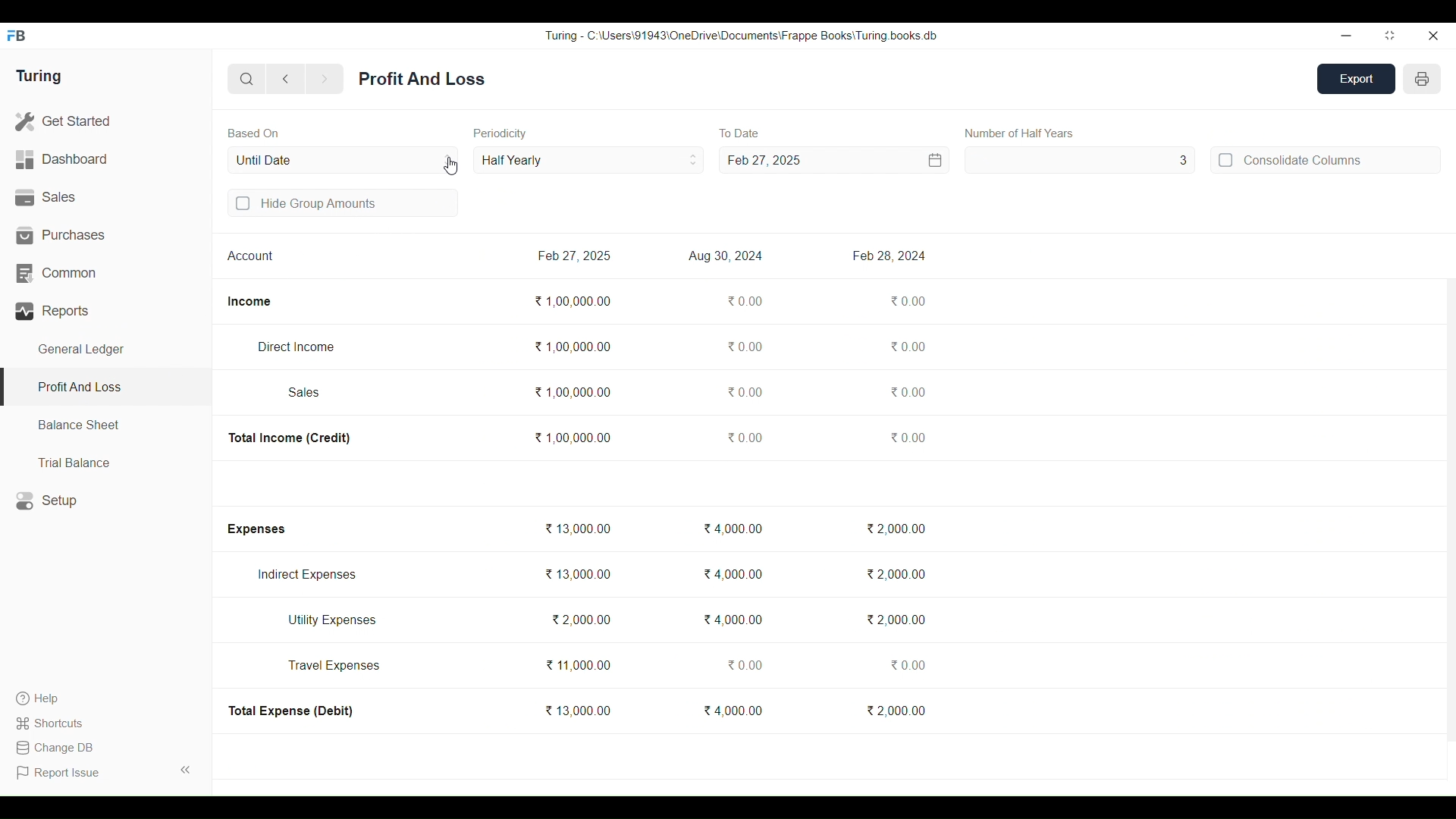 The width and height of the screenshot is (1456, 819). What do you see at coordinates (334, 665) in the screenshot?
I see `Travel Expenses` at bounding box center [334, 665].